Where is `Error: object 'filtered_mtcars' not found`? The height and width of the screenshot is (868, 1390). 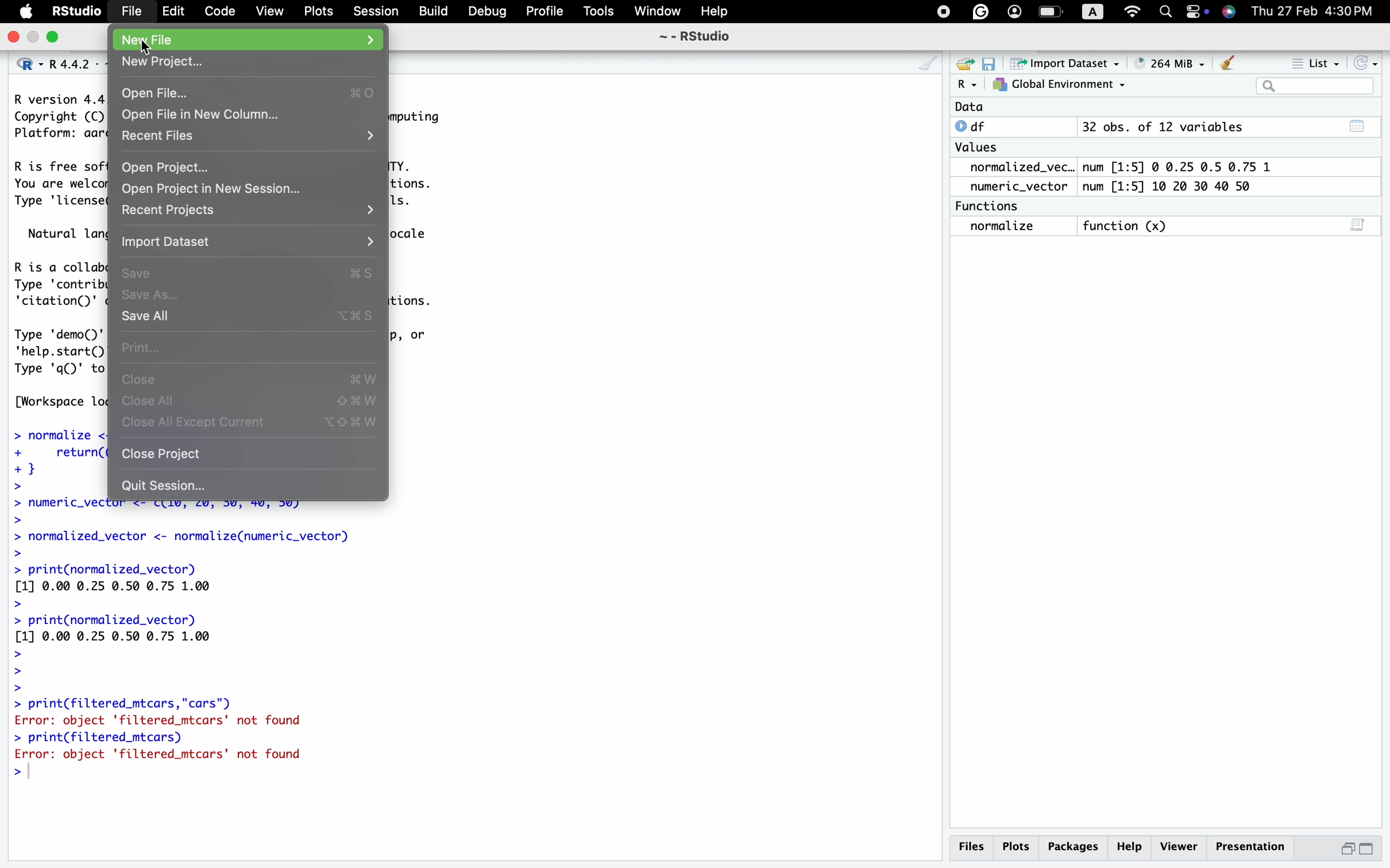 Error: object 'filtered_mtcars' not found is located at coordinates (164, 757).